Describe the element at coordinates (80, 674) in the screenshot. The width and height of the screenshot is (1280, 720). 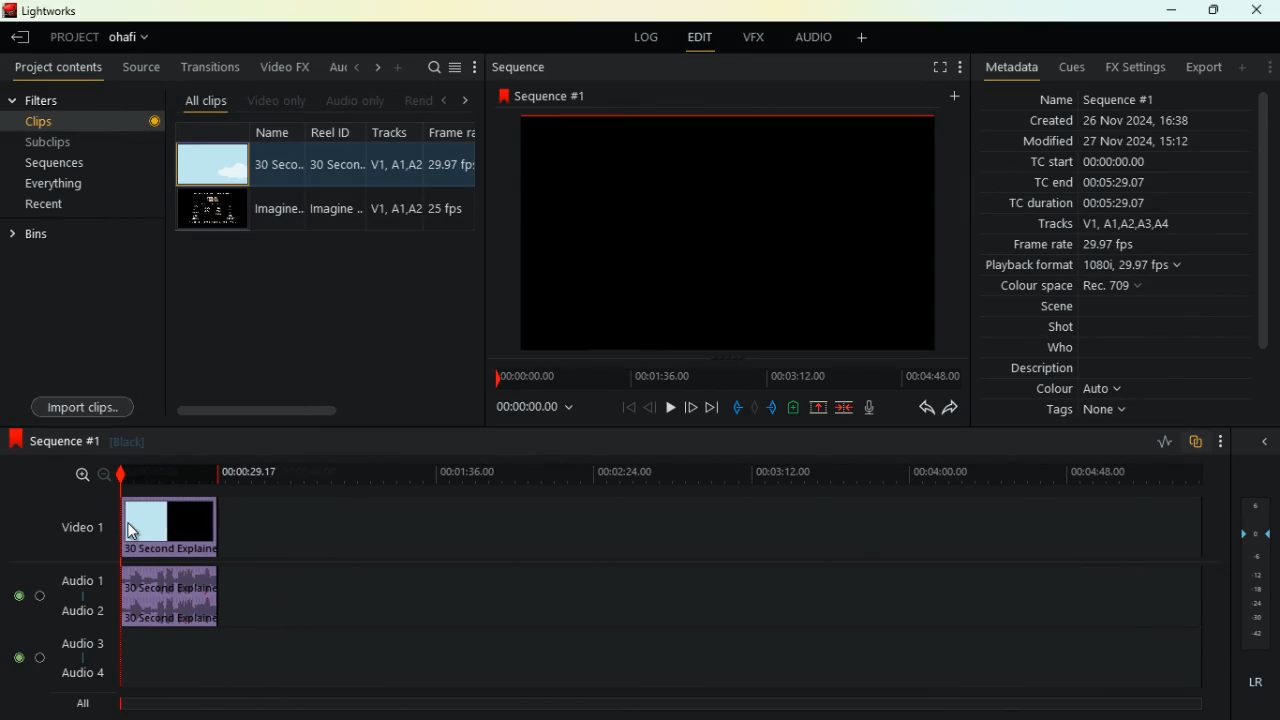
I see `audio 4` at that location.